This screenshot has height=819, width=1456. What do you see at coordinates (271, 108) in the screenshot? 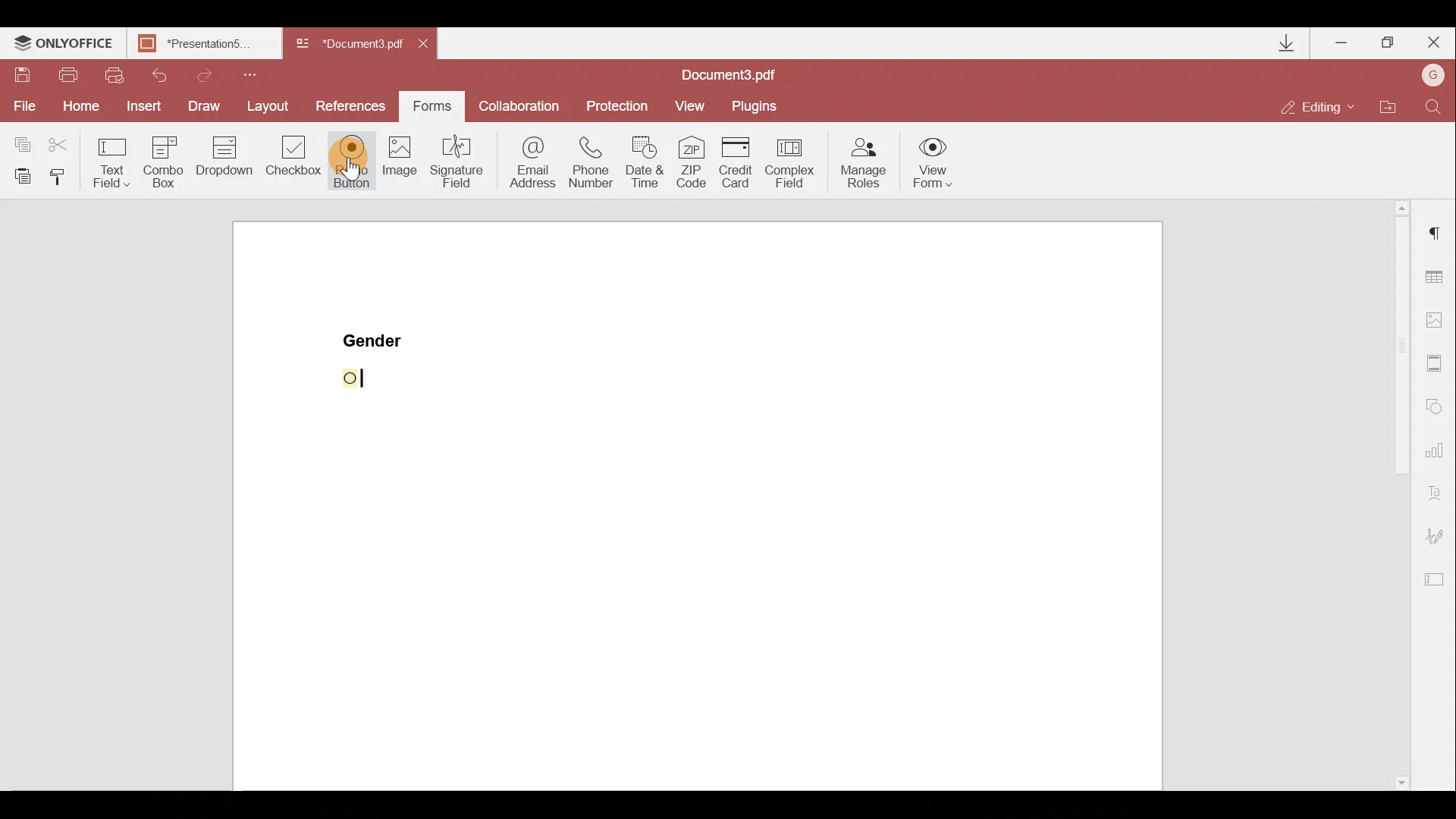
I see `Layout` at bounding box center [271, 108].